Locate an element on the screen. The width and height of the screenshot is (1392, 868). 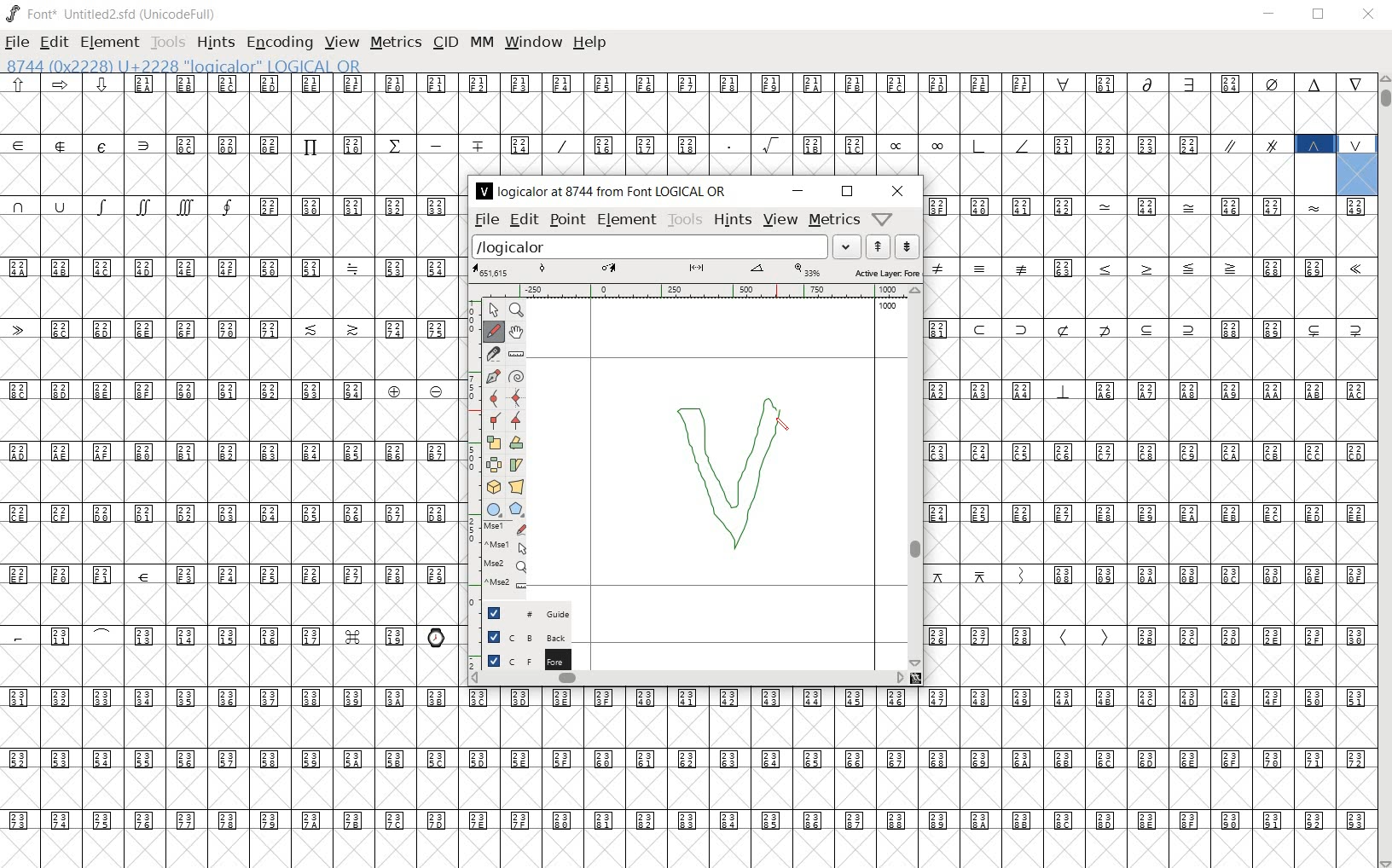
show the previous word on the list is located at coordinates (907, 246).